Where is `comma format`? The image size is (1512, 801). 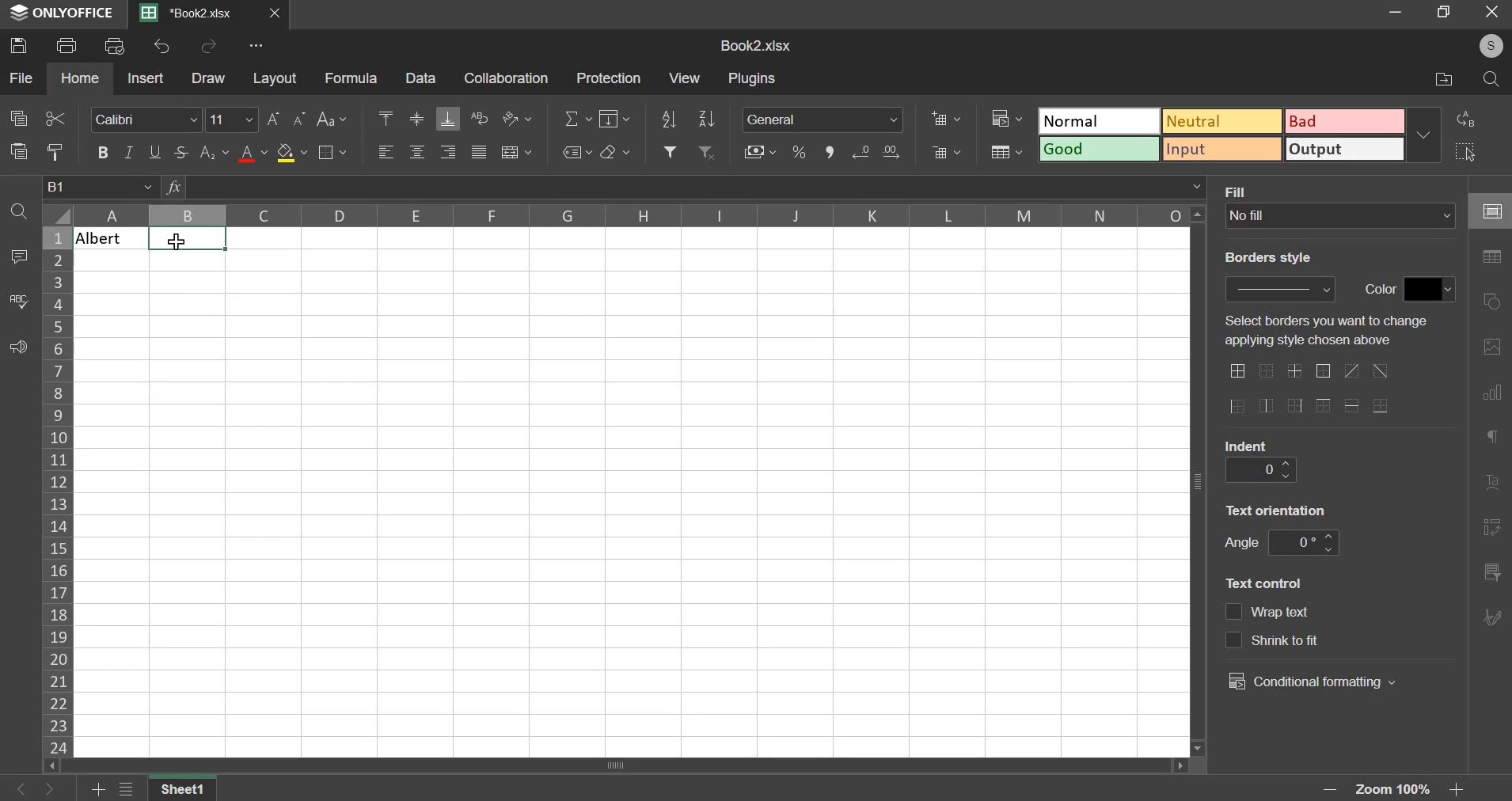 comma format is located at coordinates (829, 150).